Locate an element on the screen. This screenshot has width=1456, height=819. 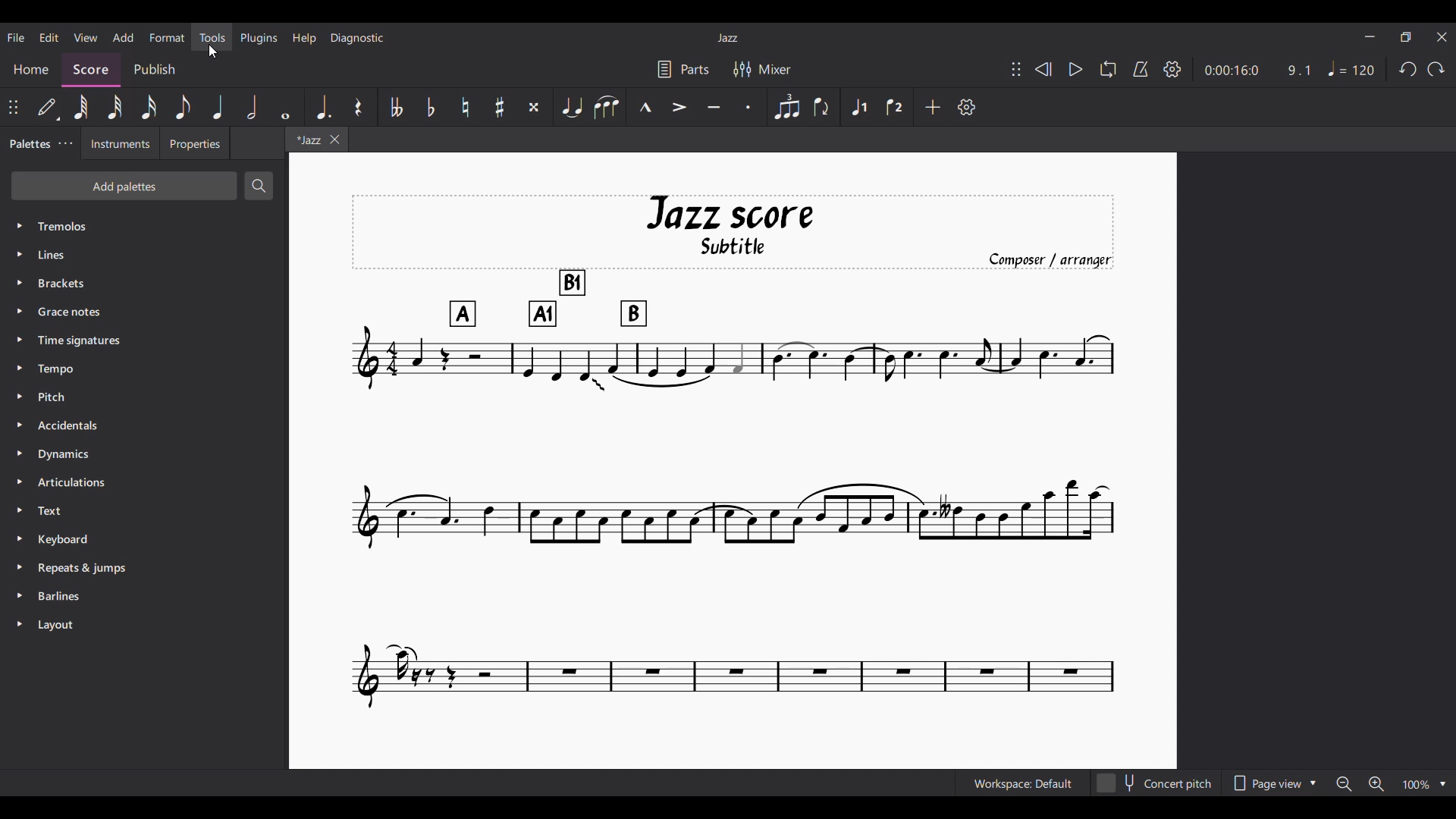
Keyboard is located at coordinates (145, 540).